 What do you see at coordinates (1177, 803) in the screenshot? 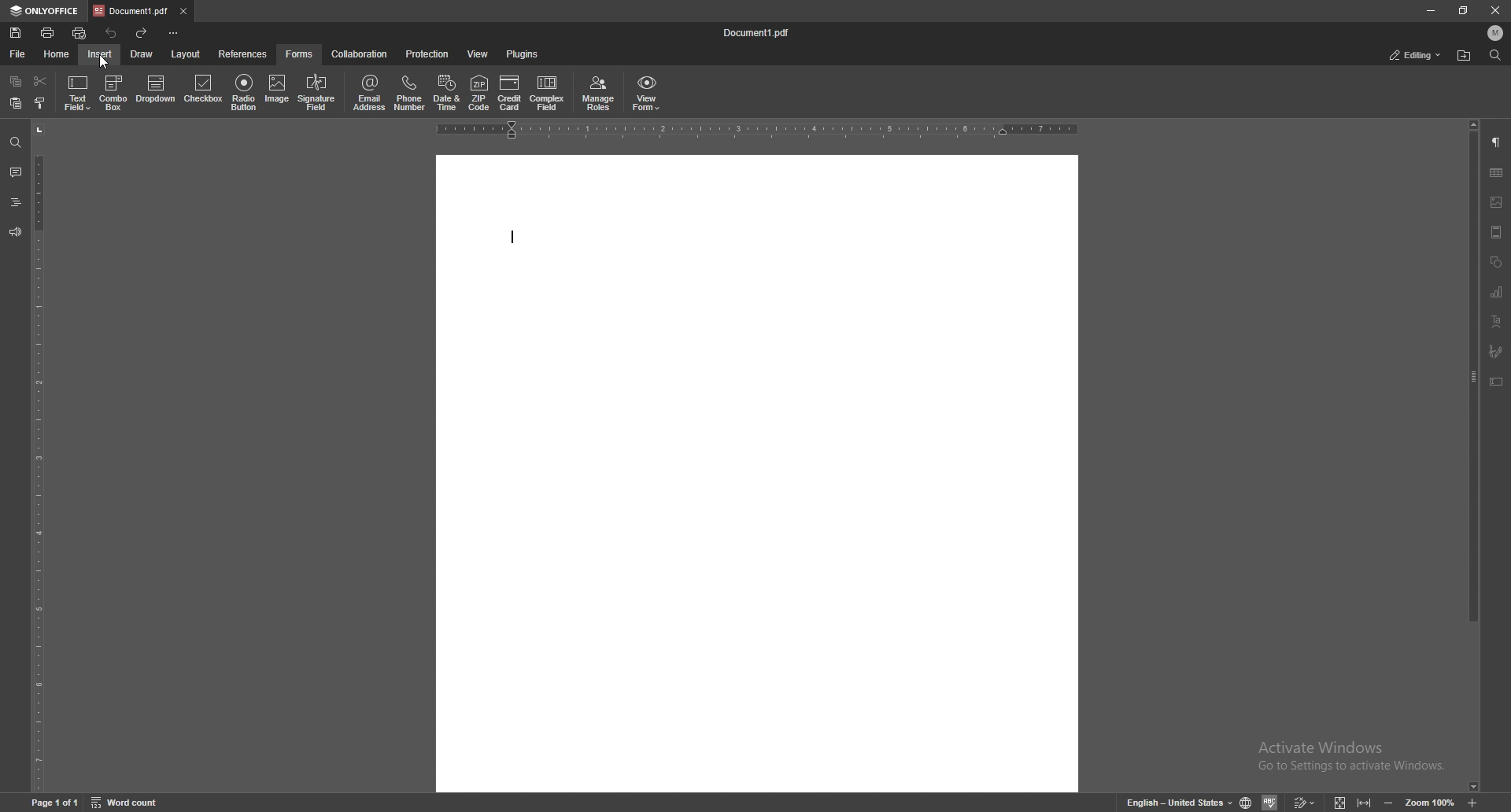
I see `set text language` at bounding box center [1177, 803].